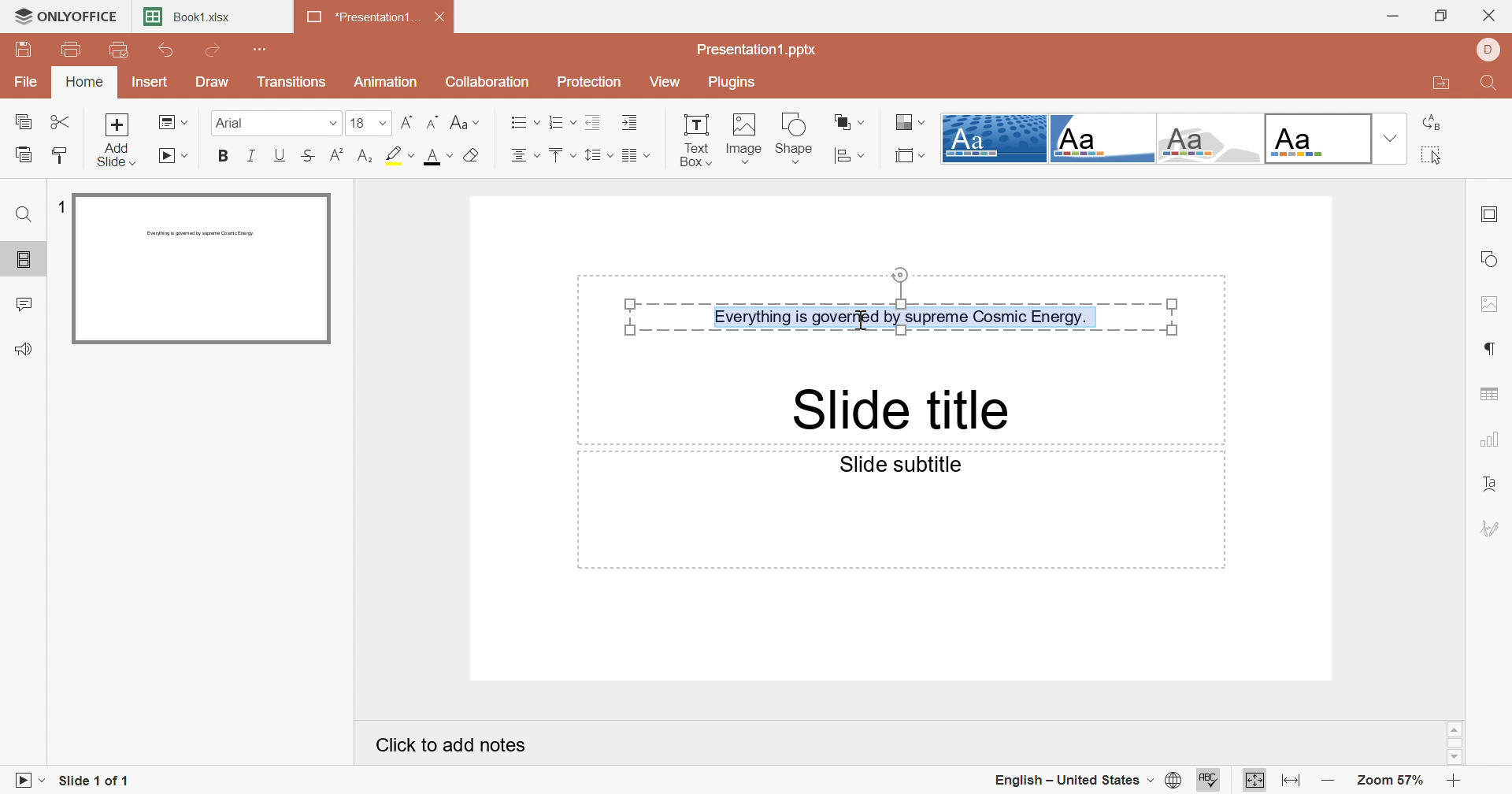 The width and height of the screenshot is (1512, 794). Describe the element at coordinates (59, 206) in the screenshot. I see `1` at that location.